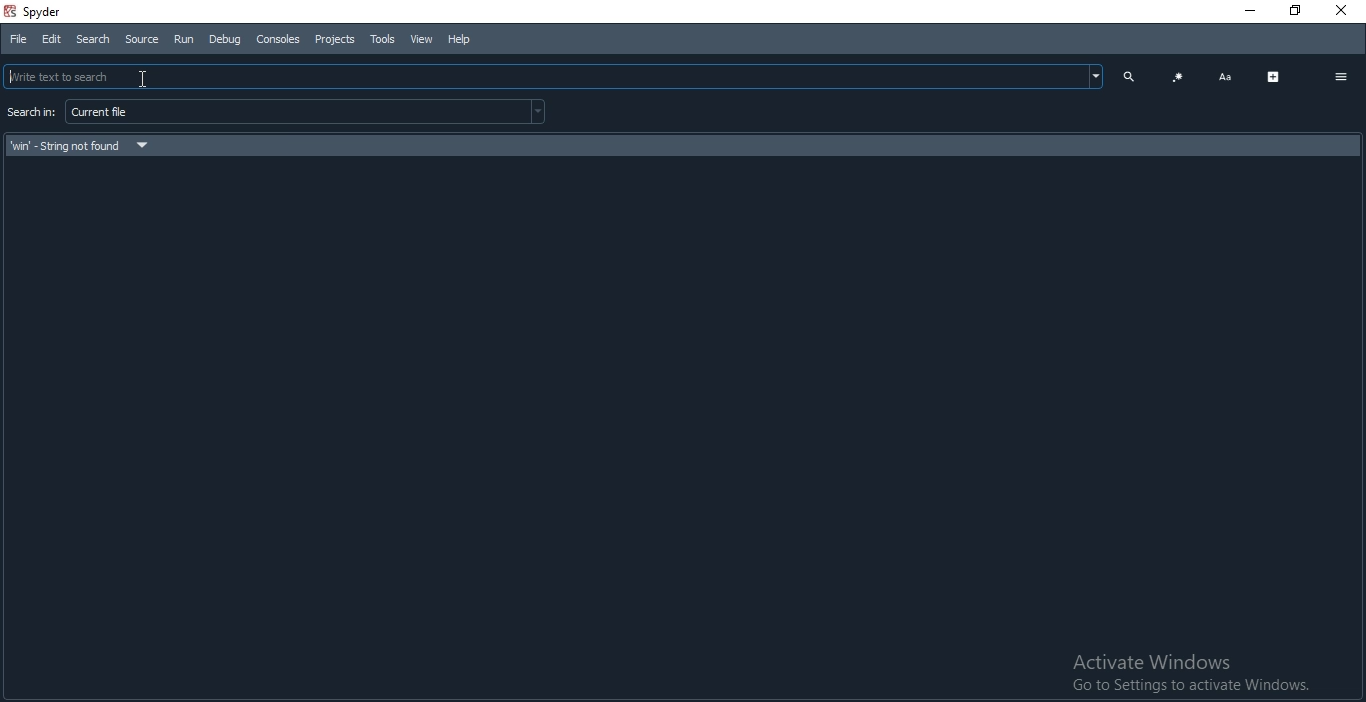 This screenshot has width=1366, height=702. I want to click on Minimise, so click(1248, 10).